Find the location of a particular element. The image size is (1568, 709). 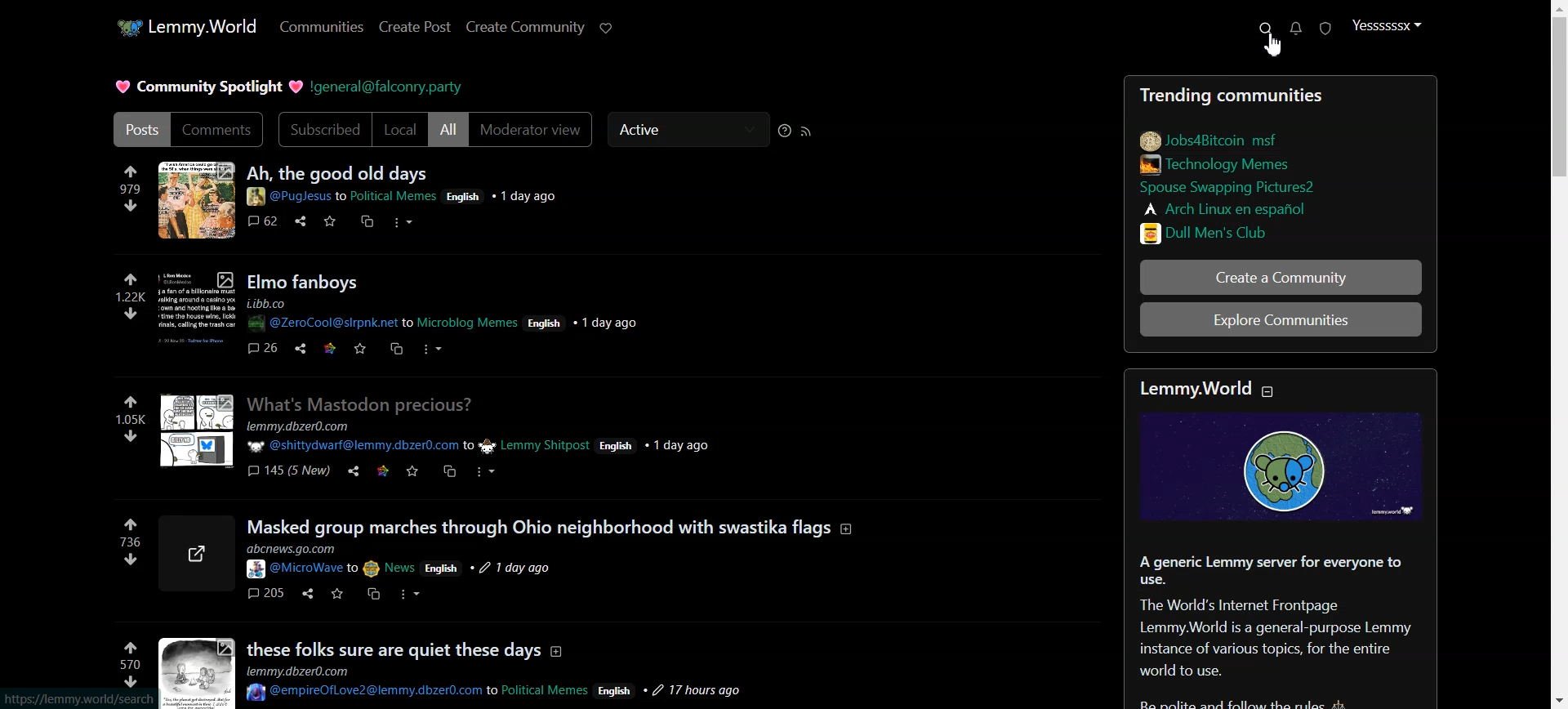

link is located at coordinates (383, 470).